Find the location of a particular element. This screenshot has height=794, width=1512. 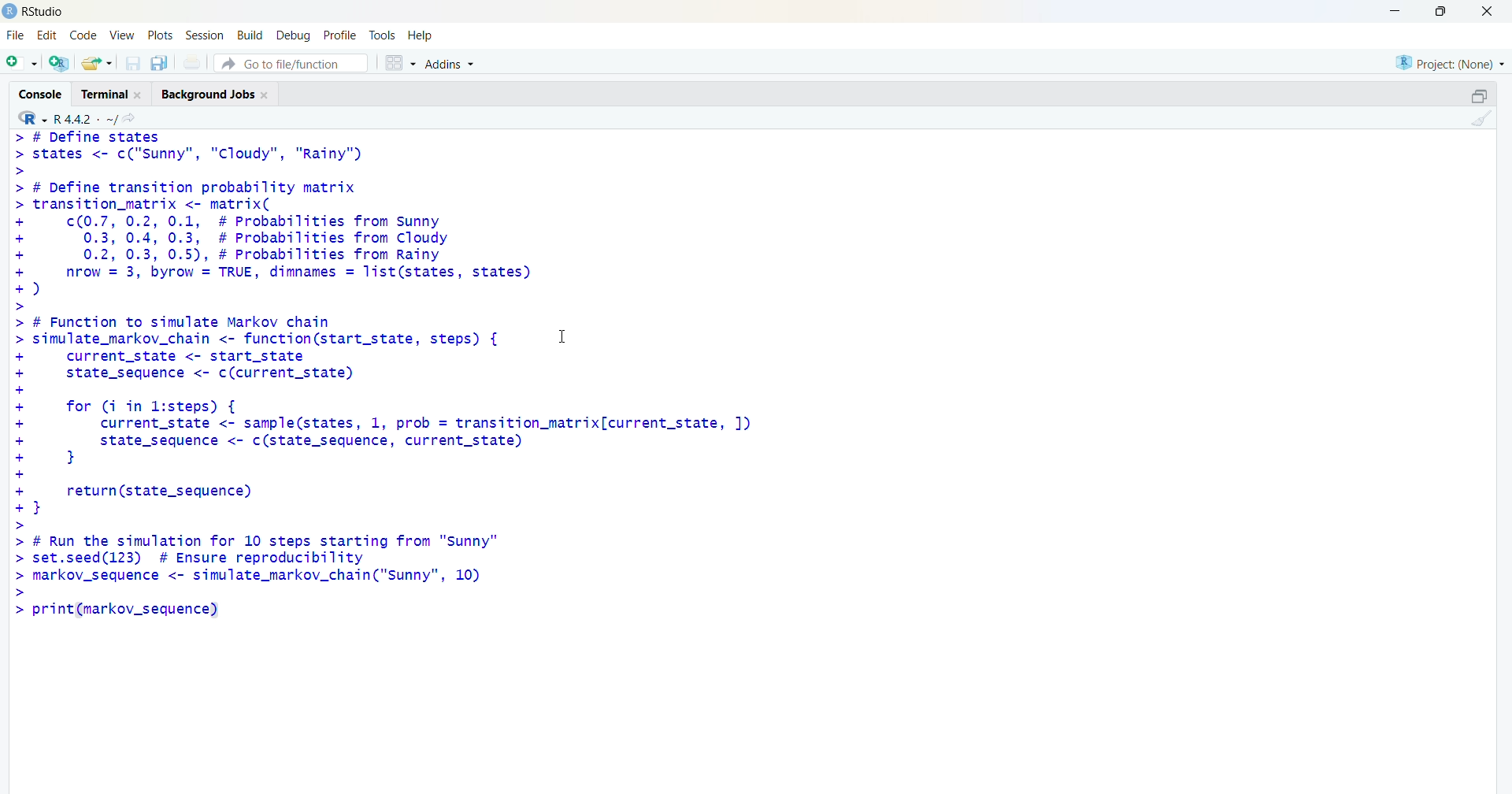

terminal is located at coordinates (113, 94).